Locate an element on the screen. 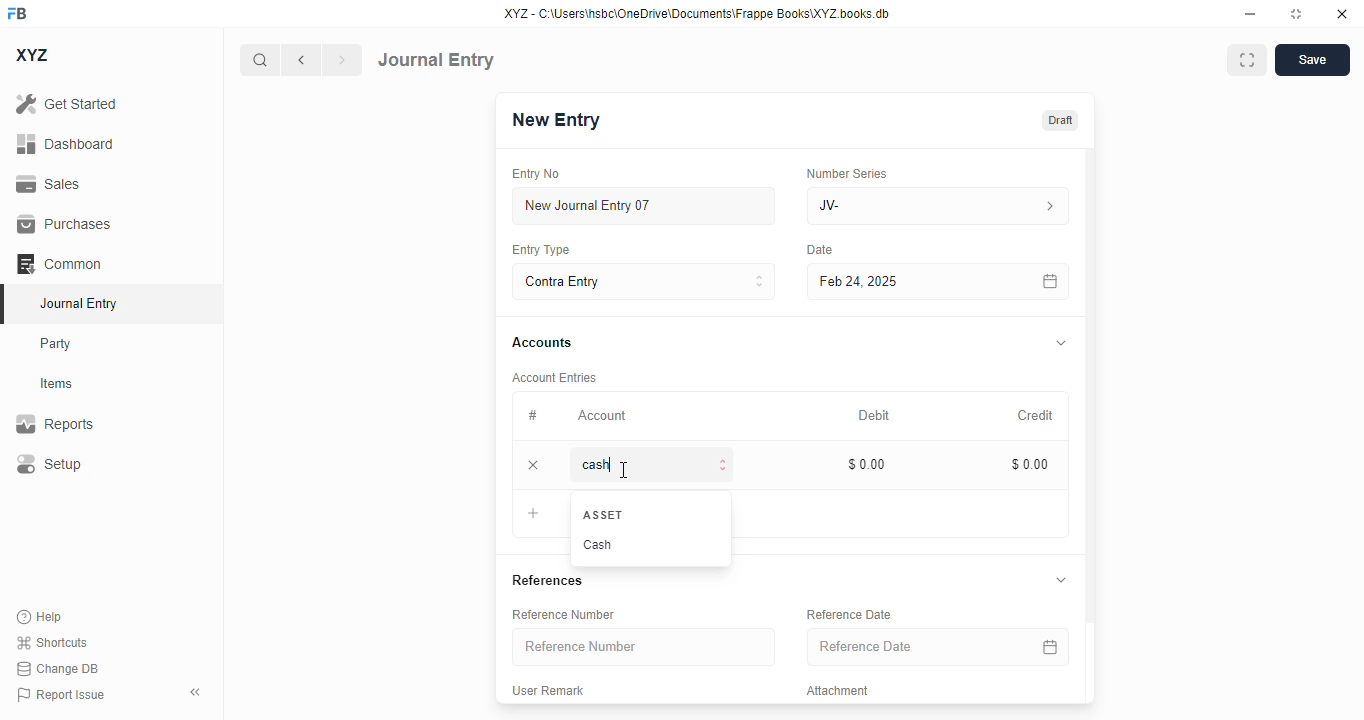 The image size is (1364, 720). journal entry is located at coordinates (80, 303).